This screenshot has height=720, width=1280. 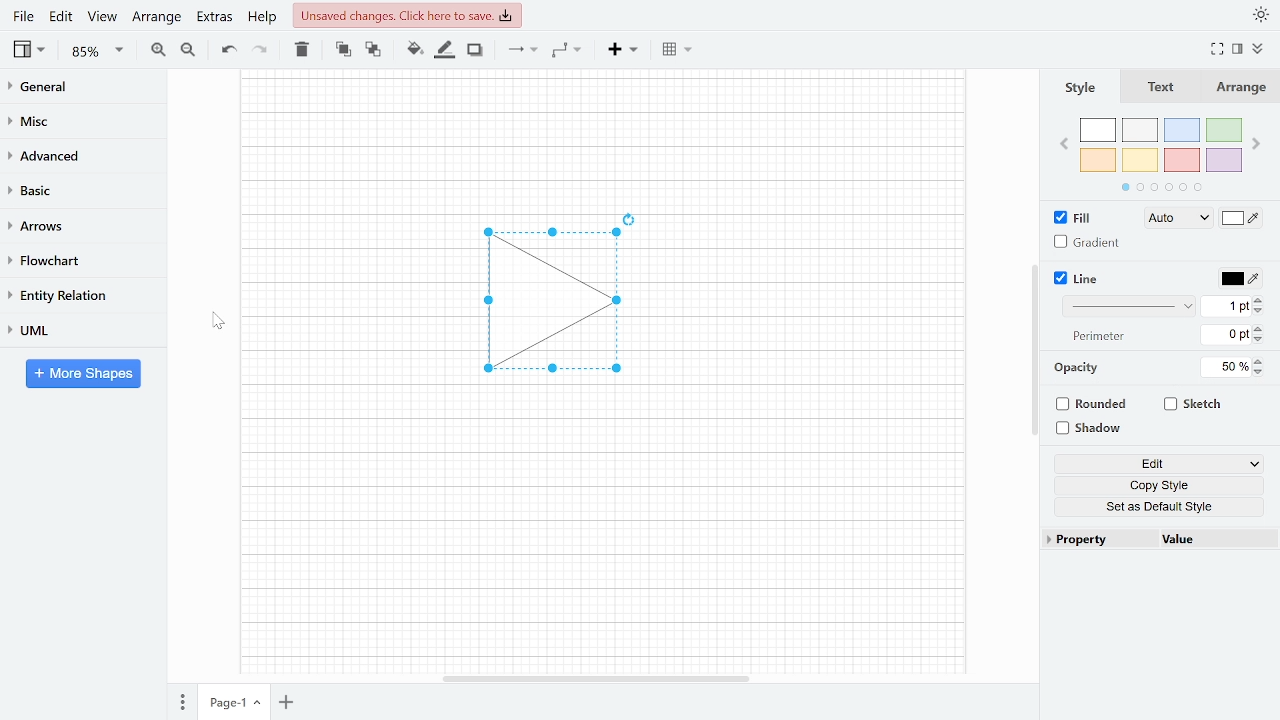 I want to click on Fill line, so click(x=444, y=50).